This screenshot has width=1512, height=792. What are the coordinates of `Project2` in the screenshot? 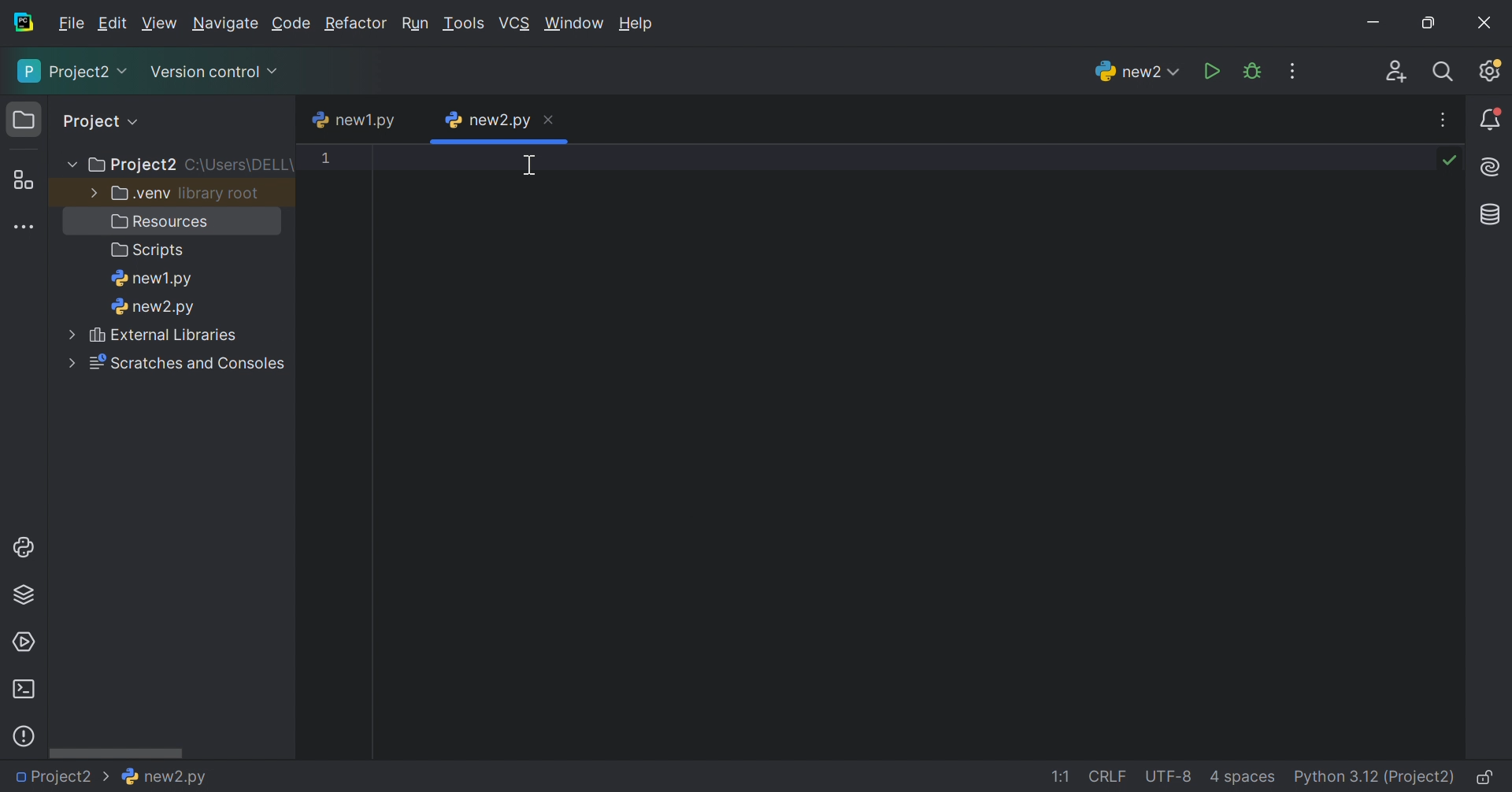 It's located at (56, 777).